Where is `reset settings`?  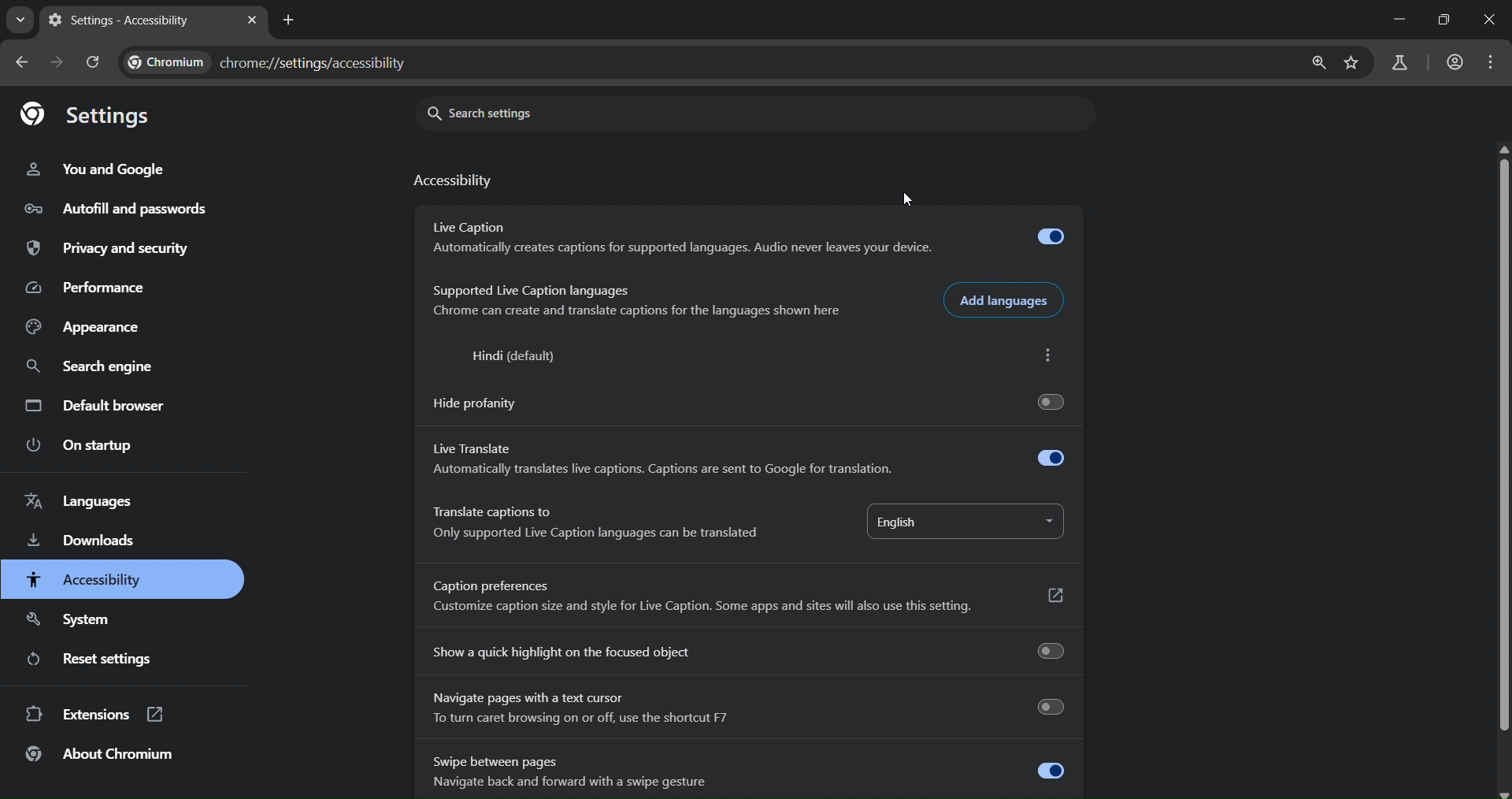 reset settings is located at coordinates (98, 661).